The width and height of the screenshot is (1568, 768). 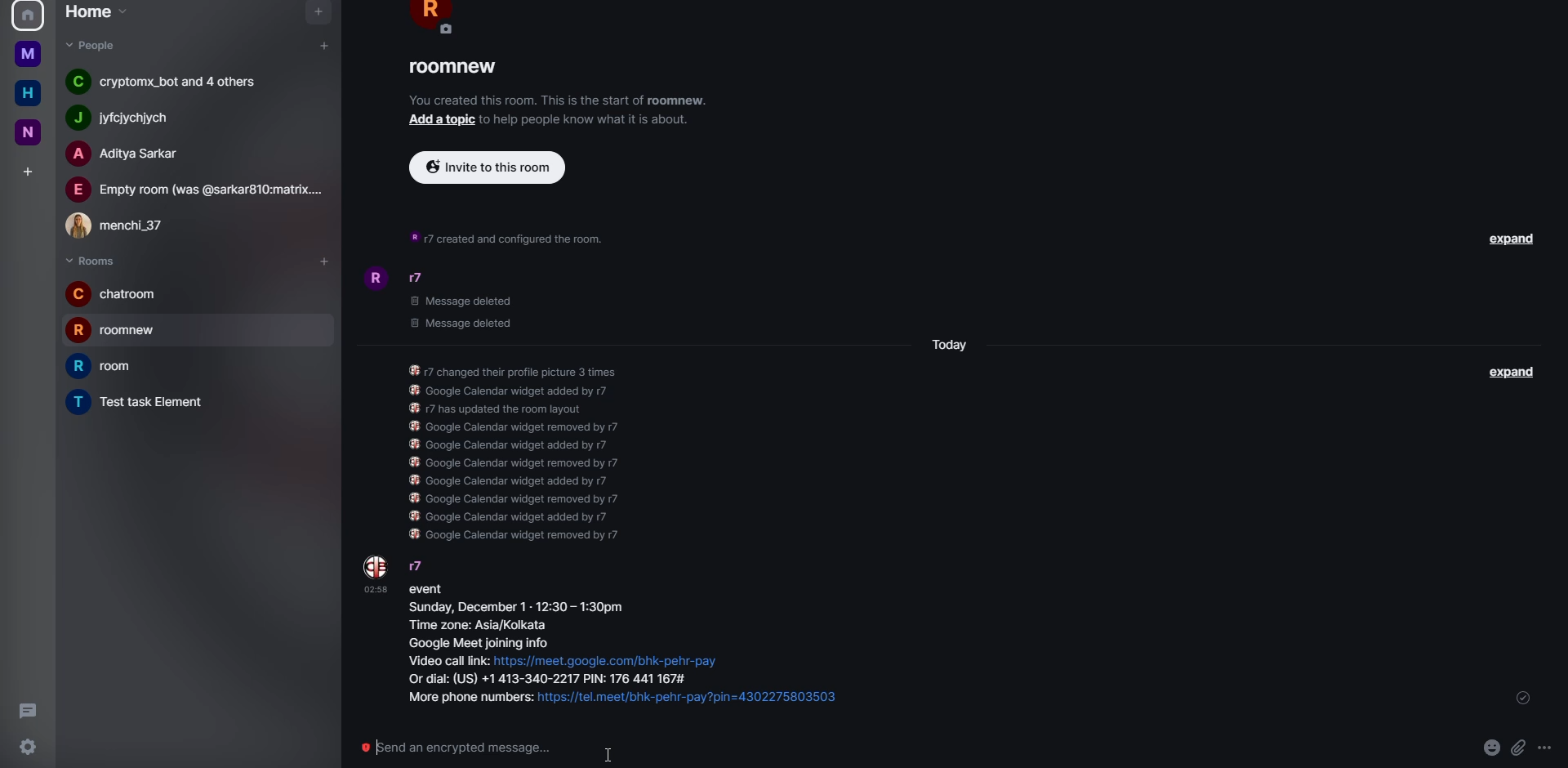 I want to click on event shared, so click(x=635, y=649).